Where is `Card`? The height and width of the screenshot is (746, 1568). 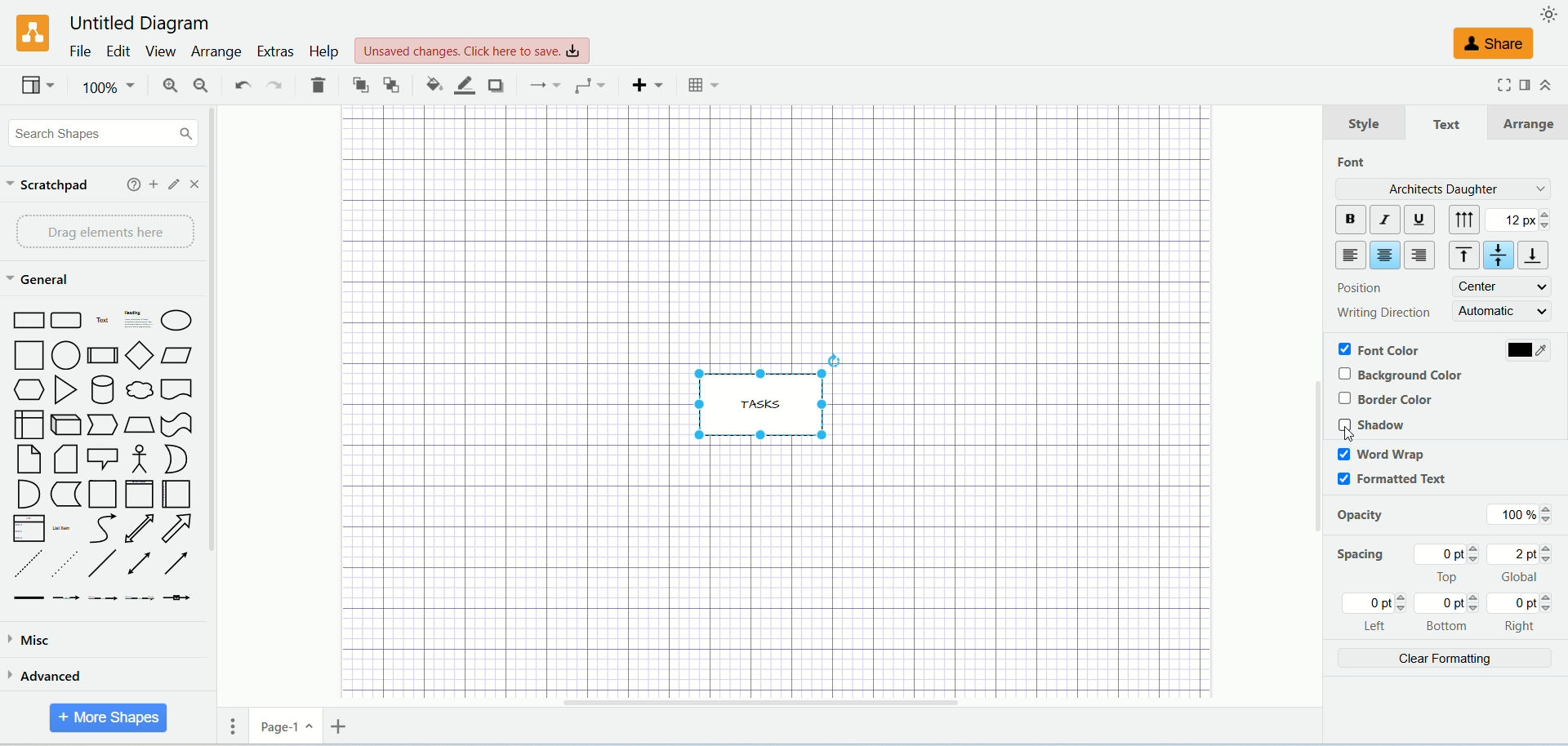
Card is located at coordinates (65, 460).